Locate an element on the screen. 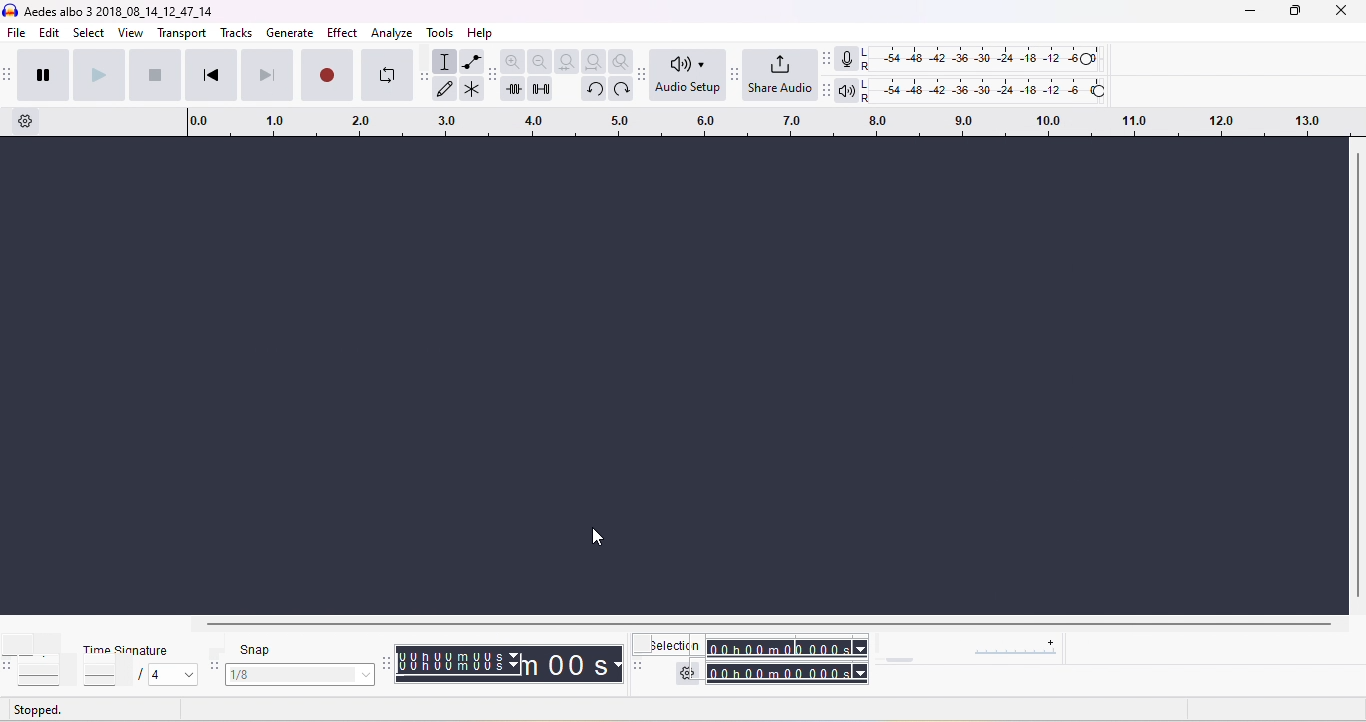 This screenshot has height=722, width=1366. select time parameter is located at coordinates (861, 674).